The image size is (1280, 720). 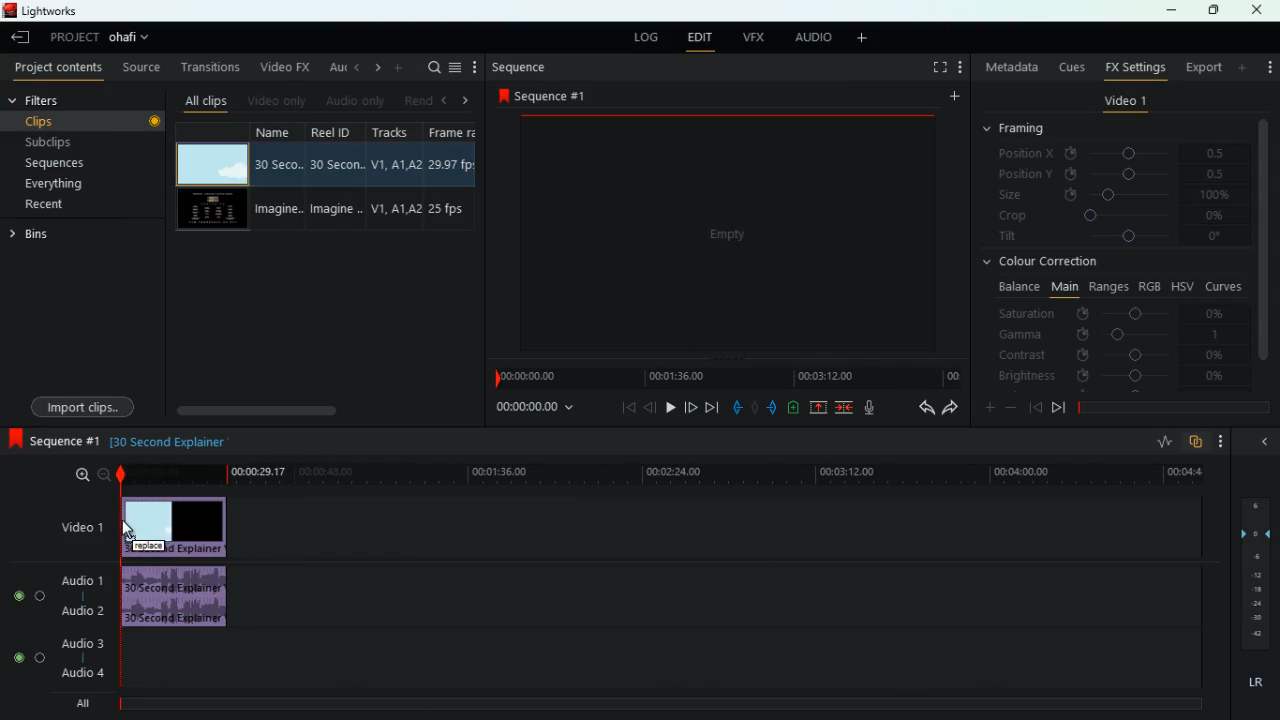 What do you see at coordinates (757, 410) in the screenshot?
I see `hold` at bounding box center [757, 410].